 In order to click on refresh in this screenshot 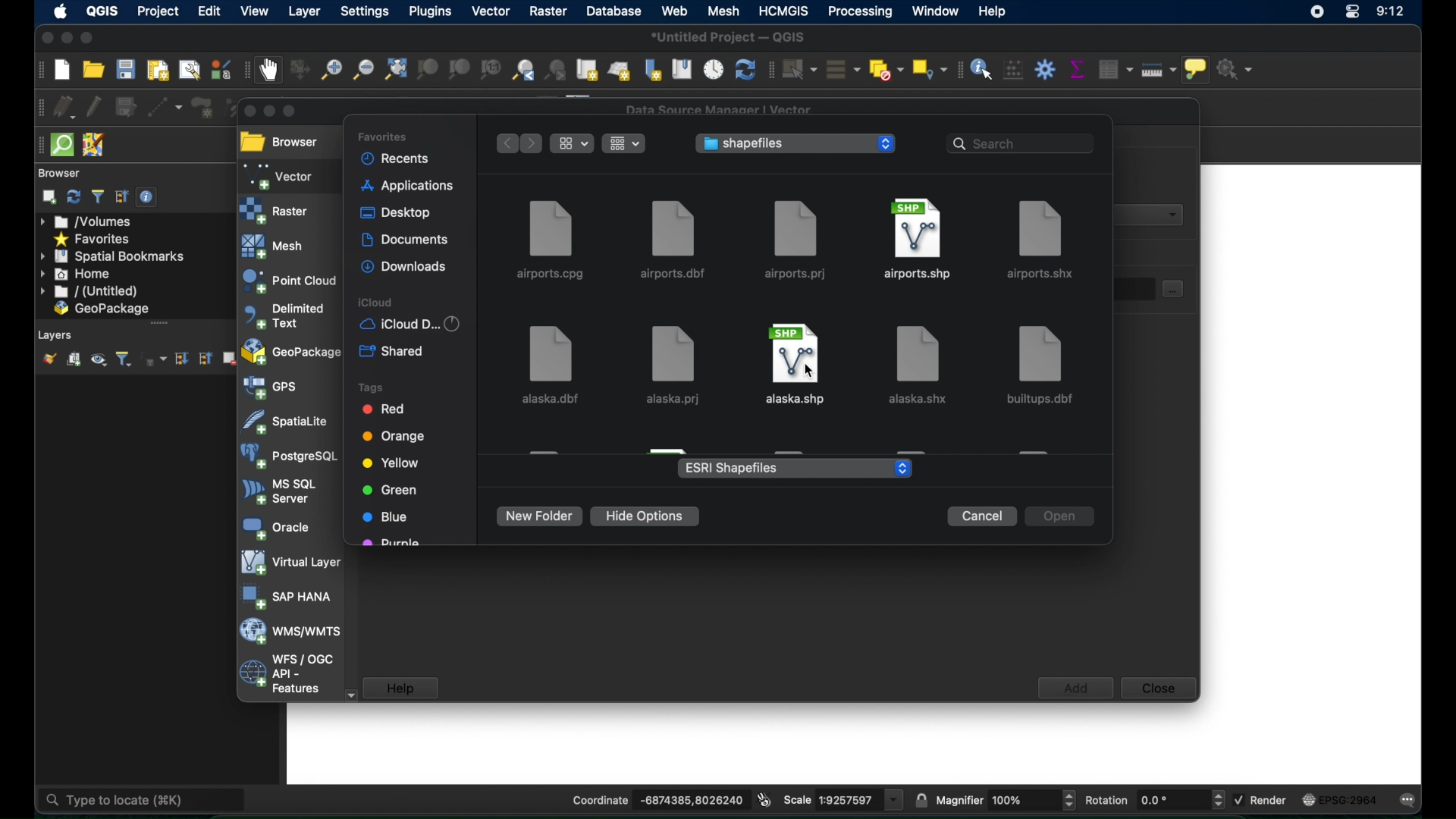, I will do `click(744, 69)`.